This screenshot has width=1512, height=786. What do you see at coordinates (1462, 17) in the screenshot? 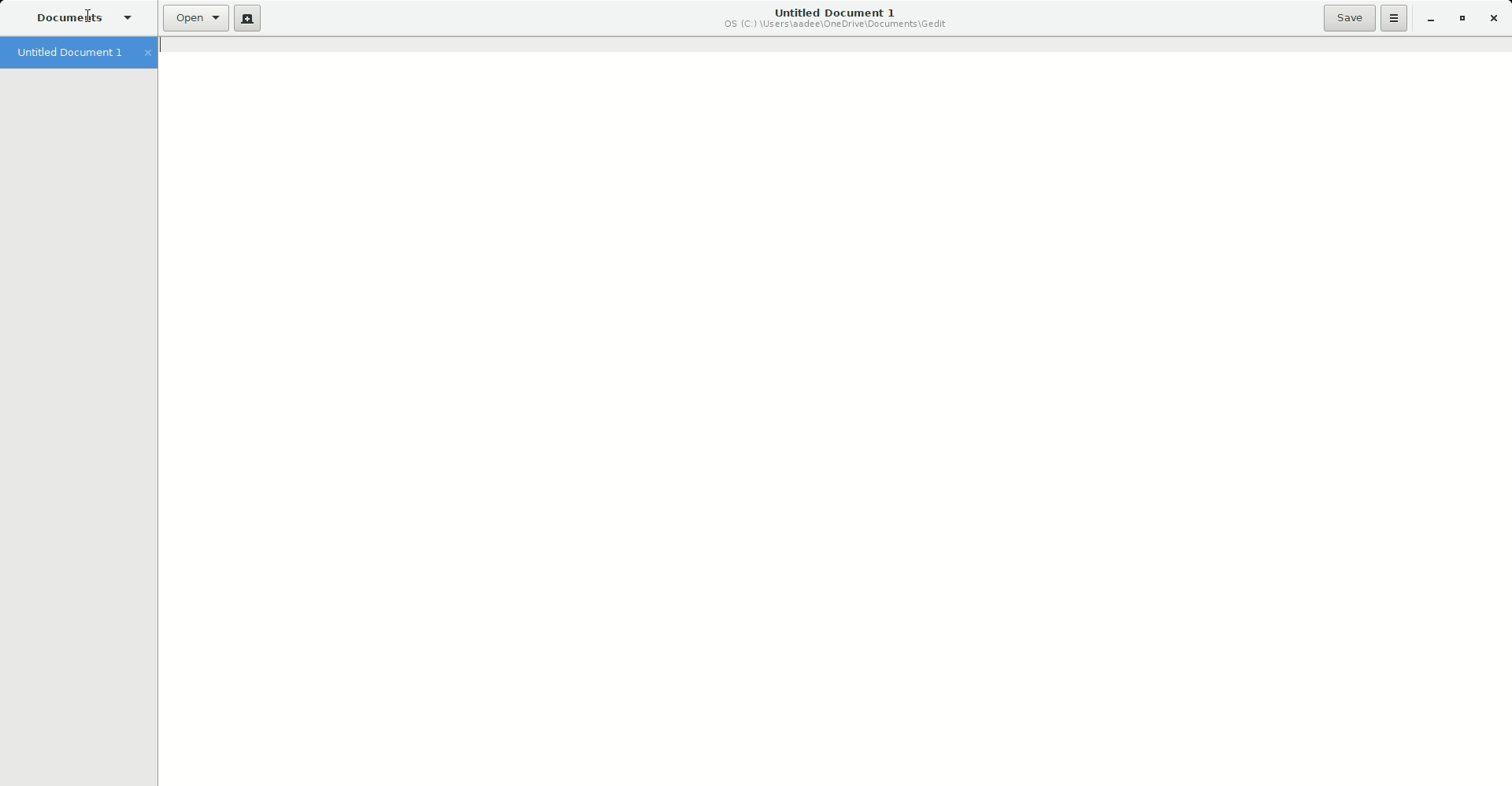
I see `Restore` at bounding box center [1462, 17].